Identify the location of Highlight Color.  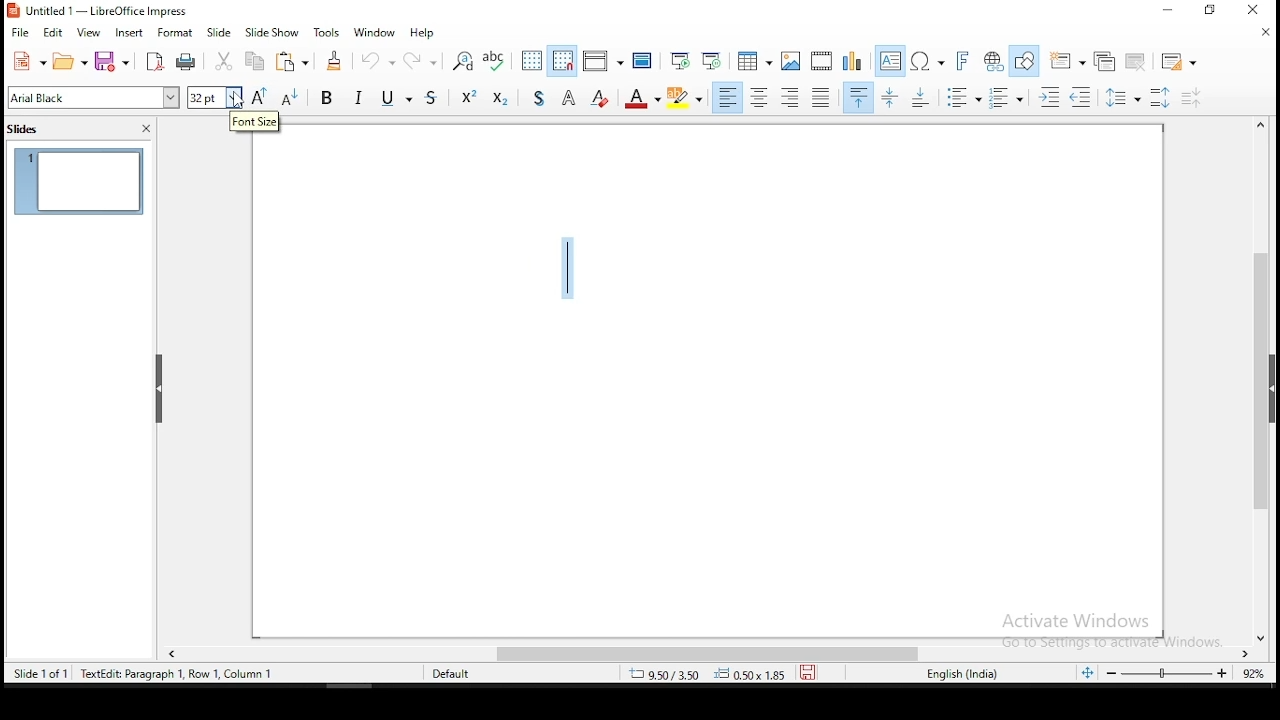
(685, 98).